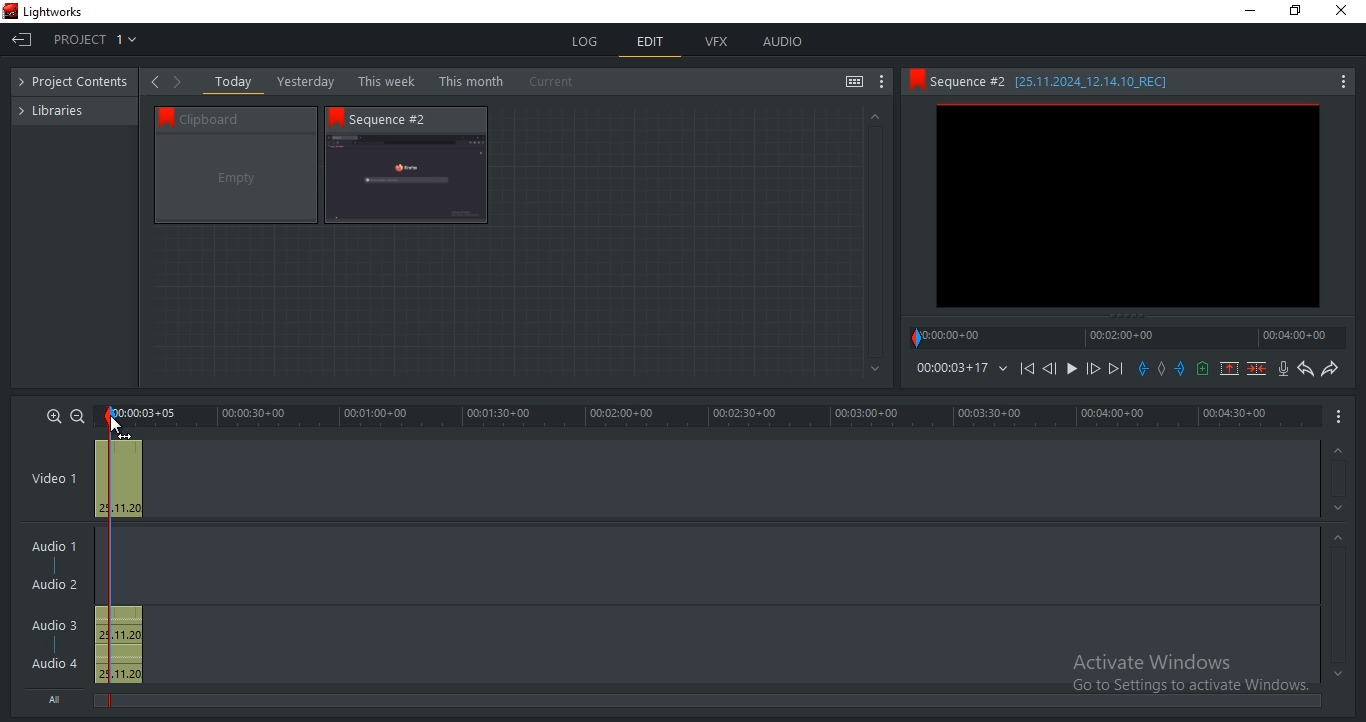 Image resolution: width=1366 pixels, height=722 pixels. Describe the element at coordinates (399, 81) in the screenshot. I see `Today, yesterday, This week, This month, Current` at that location.